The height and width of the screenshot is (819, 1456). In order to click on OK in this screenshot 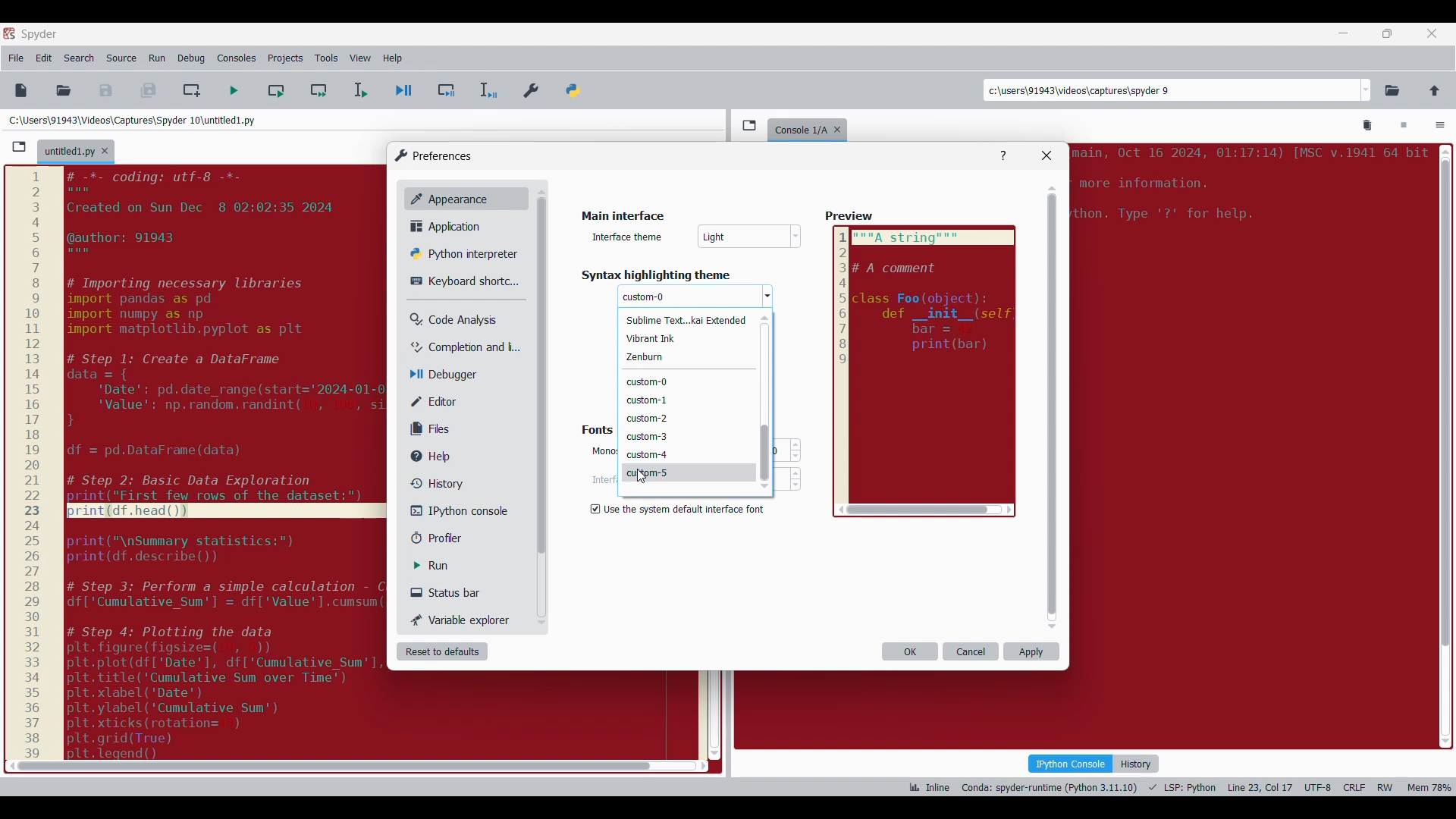, I will do `click(910, 651)`.